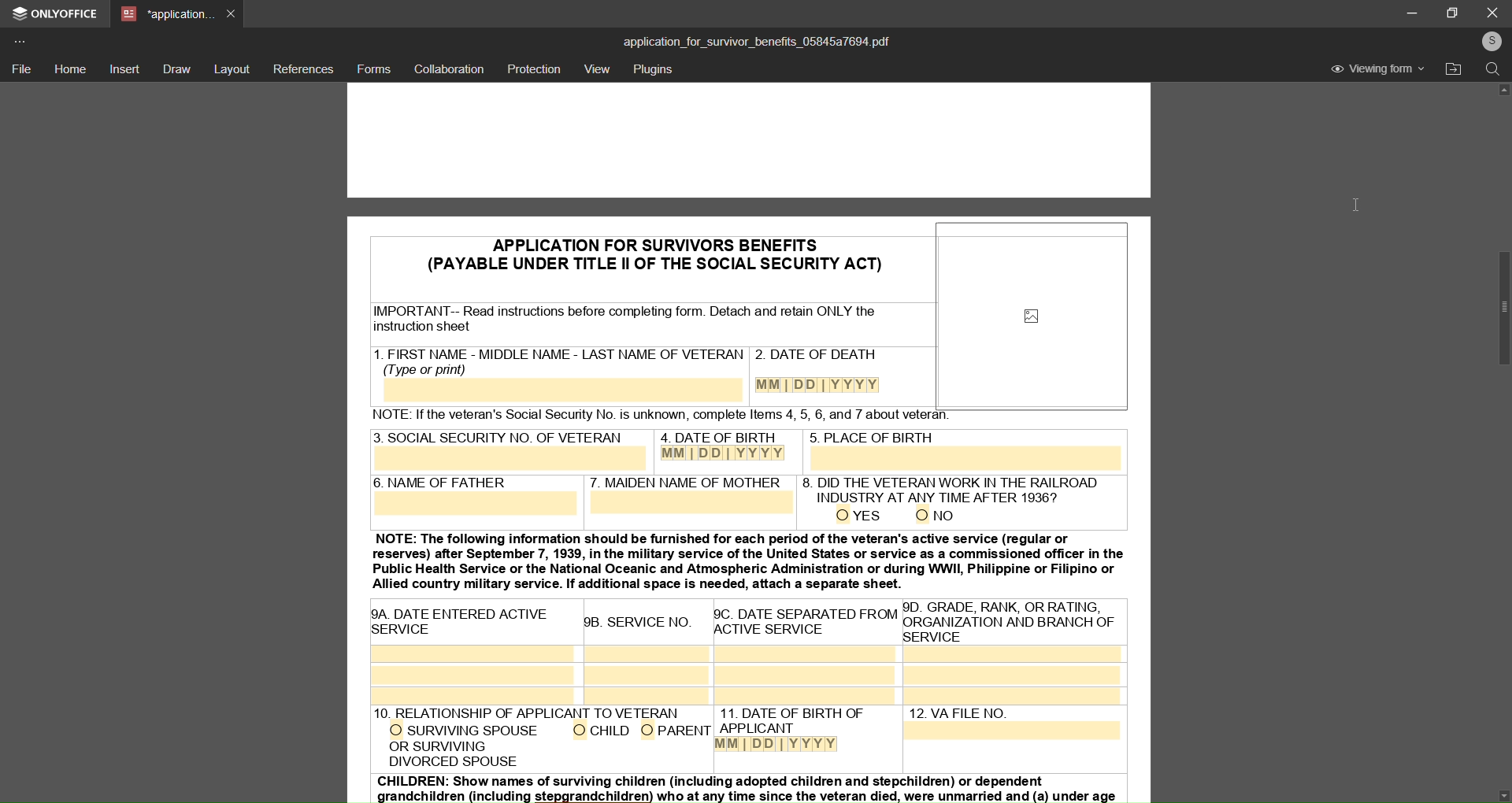  I want to click on cursor, so click(1366, 208).